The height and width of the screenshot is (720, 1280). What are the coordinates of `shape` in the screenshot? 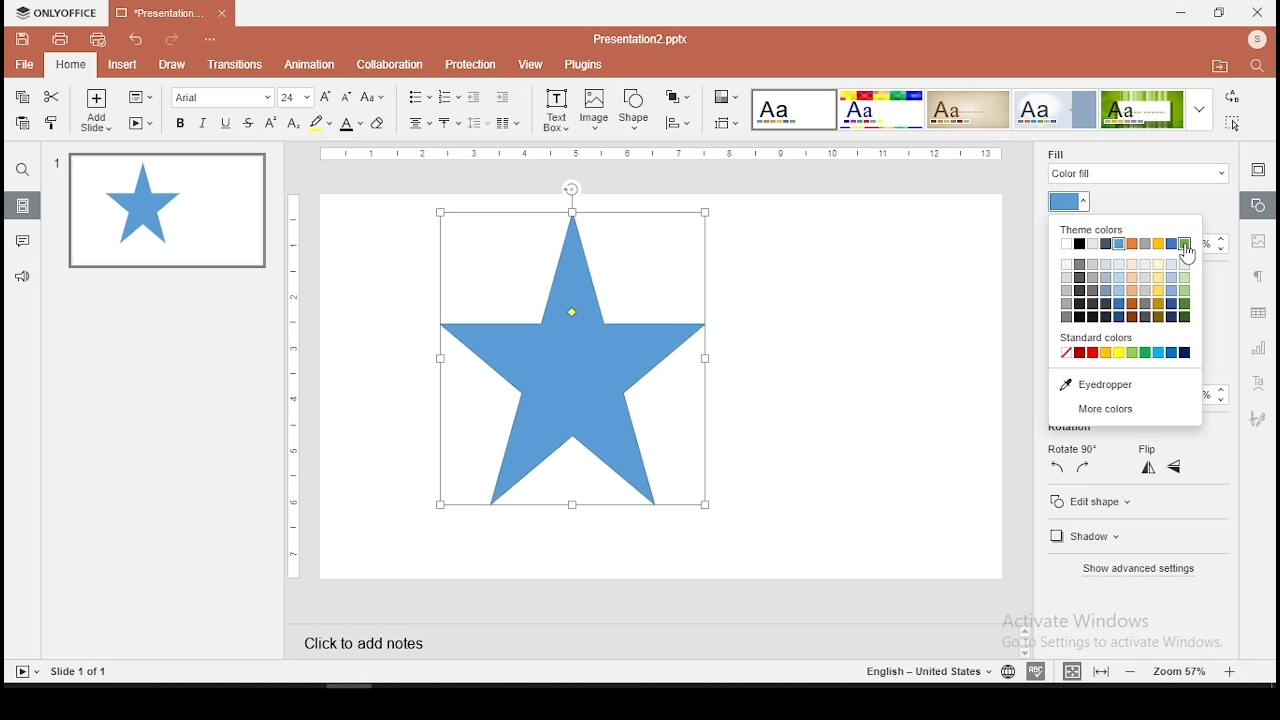 It's located at (637, 111).